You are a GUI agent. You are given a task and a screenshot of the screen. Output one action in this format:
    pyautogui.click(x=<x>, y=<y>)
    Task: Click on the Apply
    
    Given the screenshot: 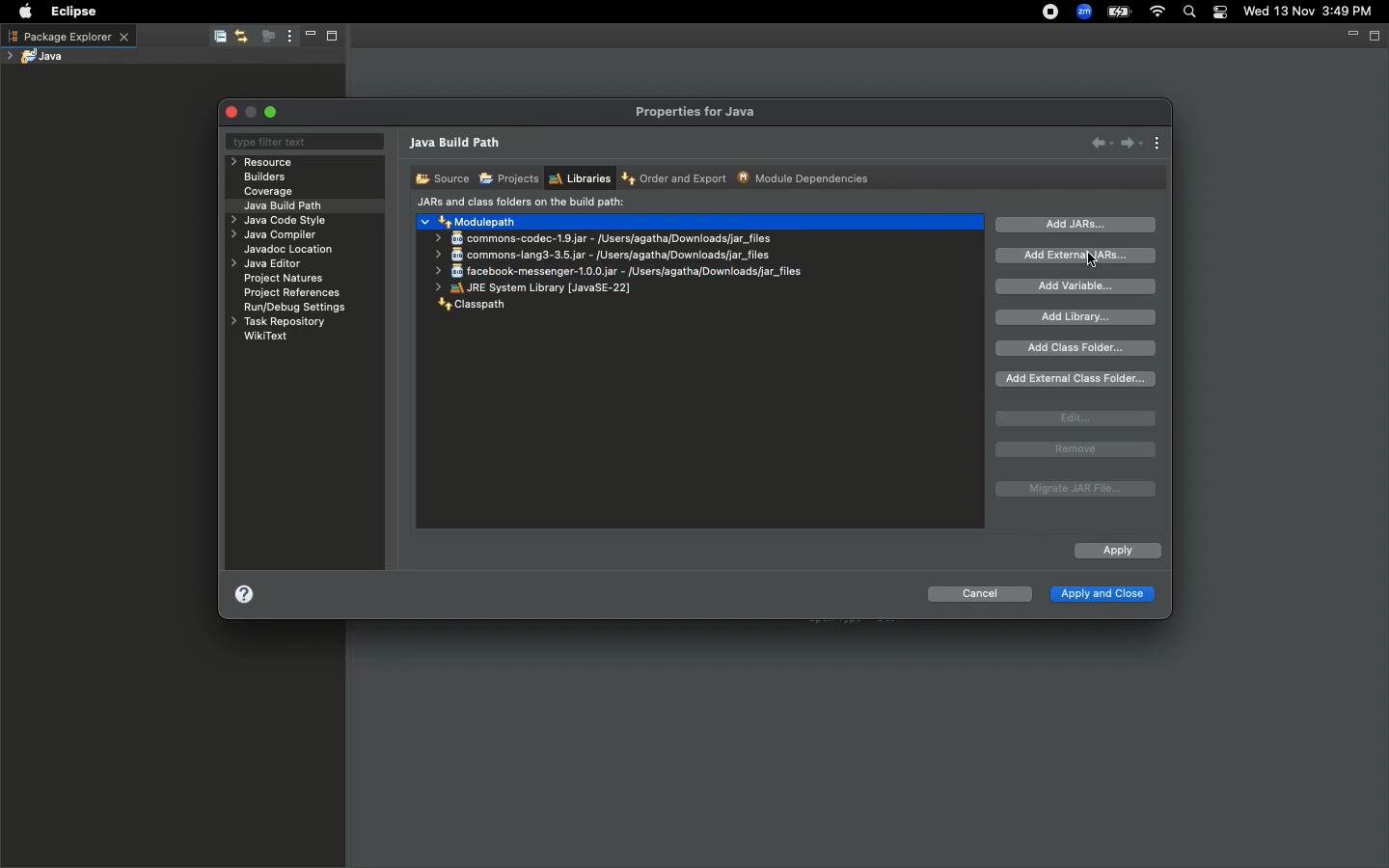 What is the action you would take?
    pyautogui.click(x=1116, y=552)
    